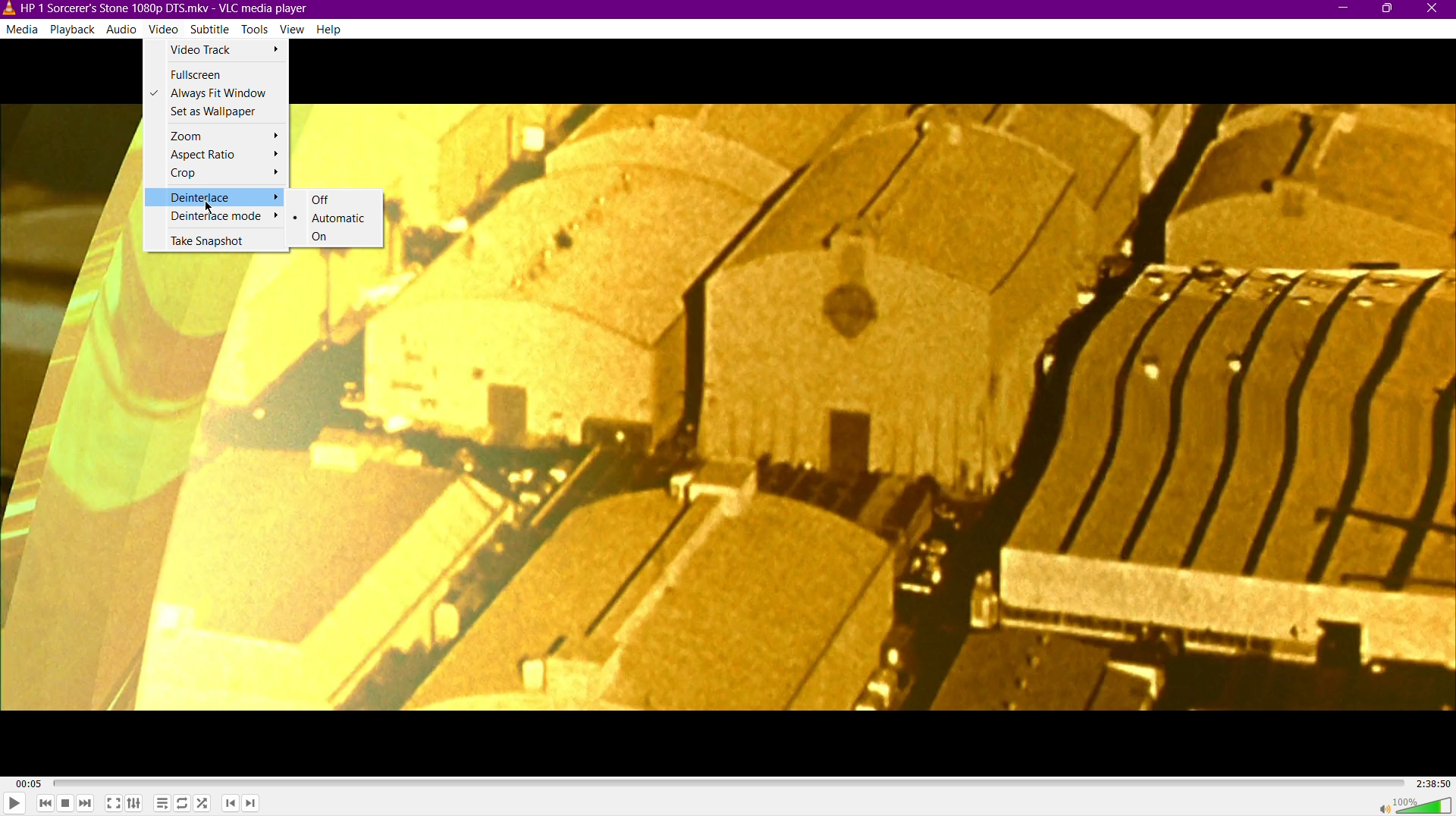 The width and height of the screenshot is (1456, 816). Describe the element at coordinates (206, 203) in the screenshot. I see `Cursor Position` at that location.